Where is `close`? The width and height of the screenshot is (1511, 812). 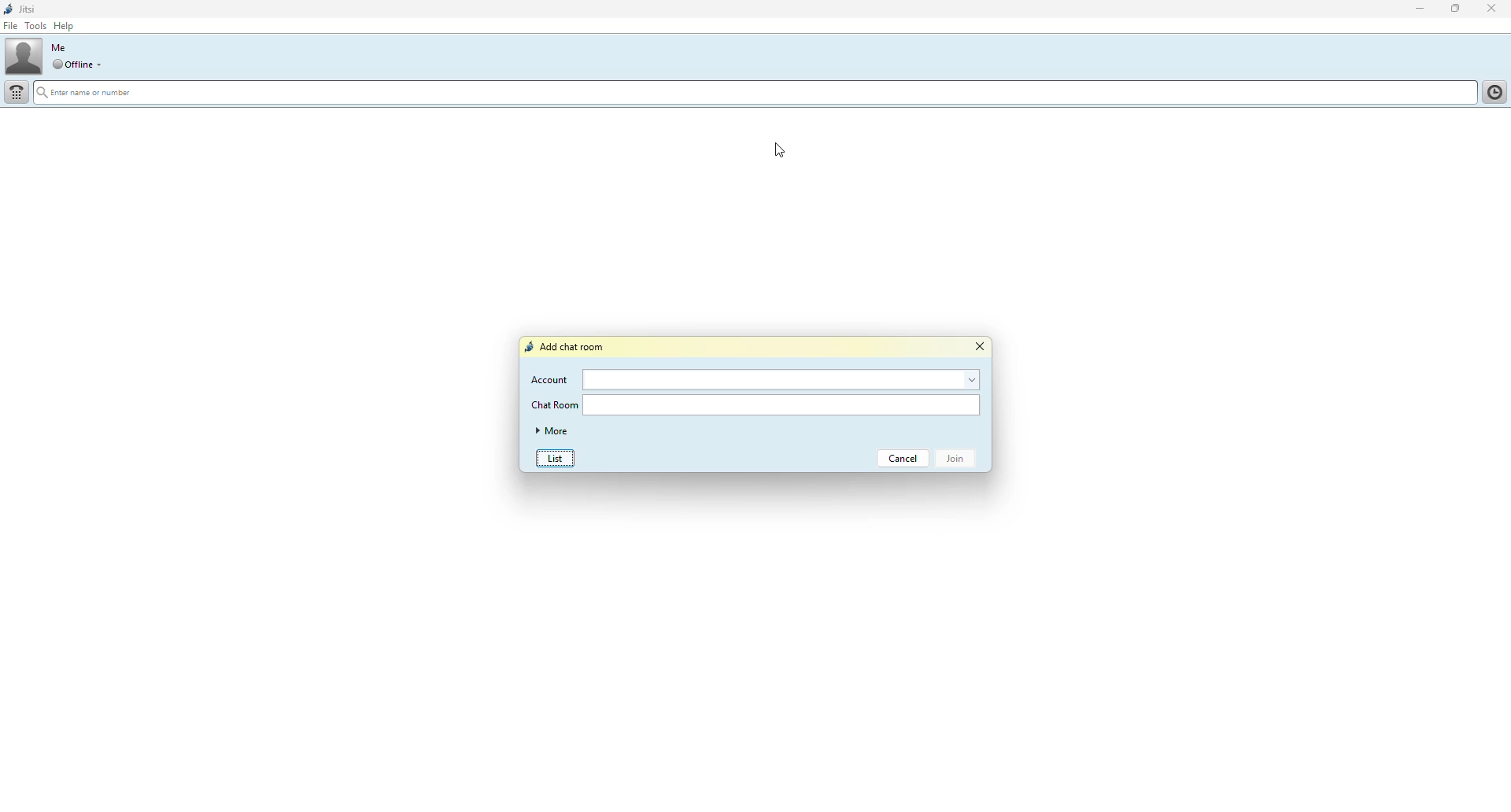 close is located at coordinates (1494, 8).